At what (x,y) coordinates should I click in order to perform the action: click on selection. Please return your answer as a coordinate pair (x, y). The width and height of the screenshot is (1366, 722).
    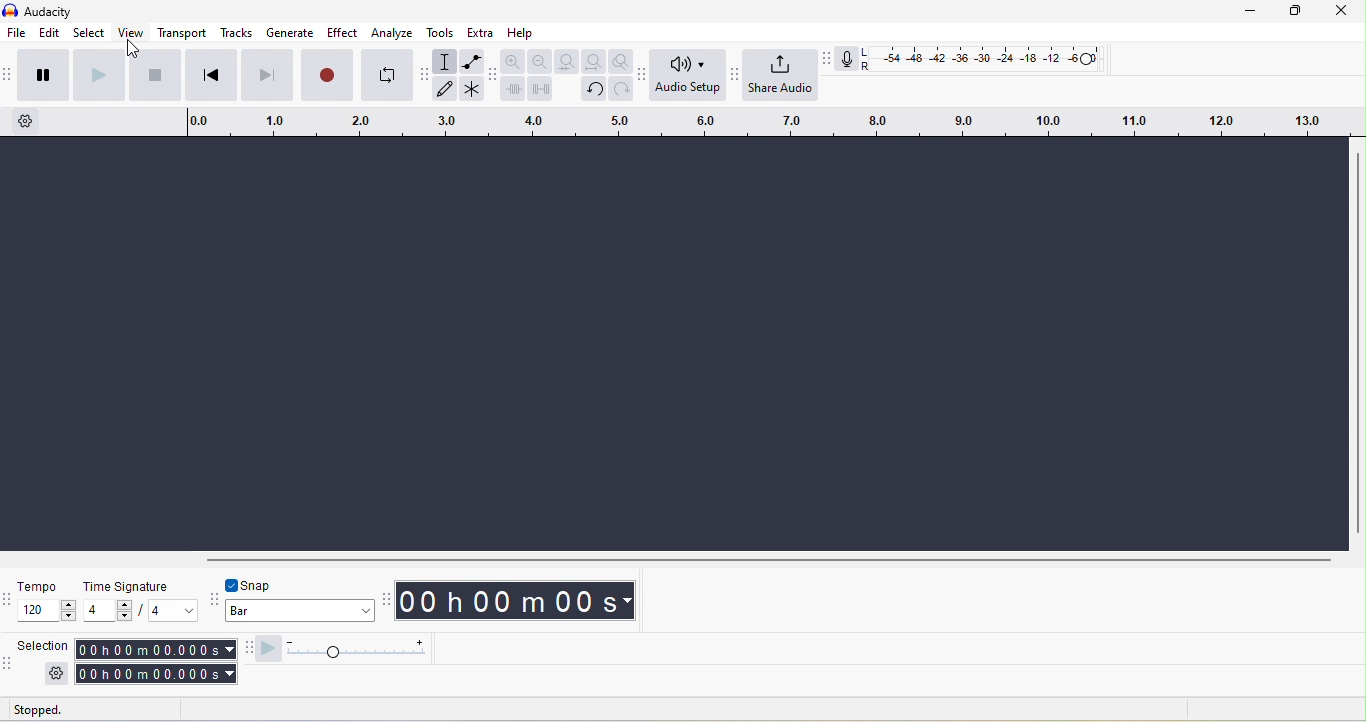
    Looking at the image, I should click on (44, 645).